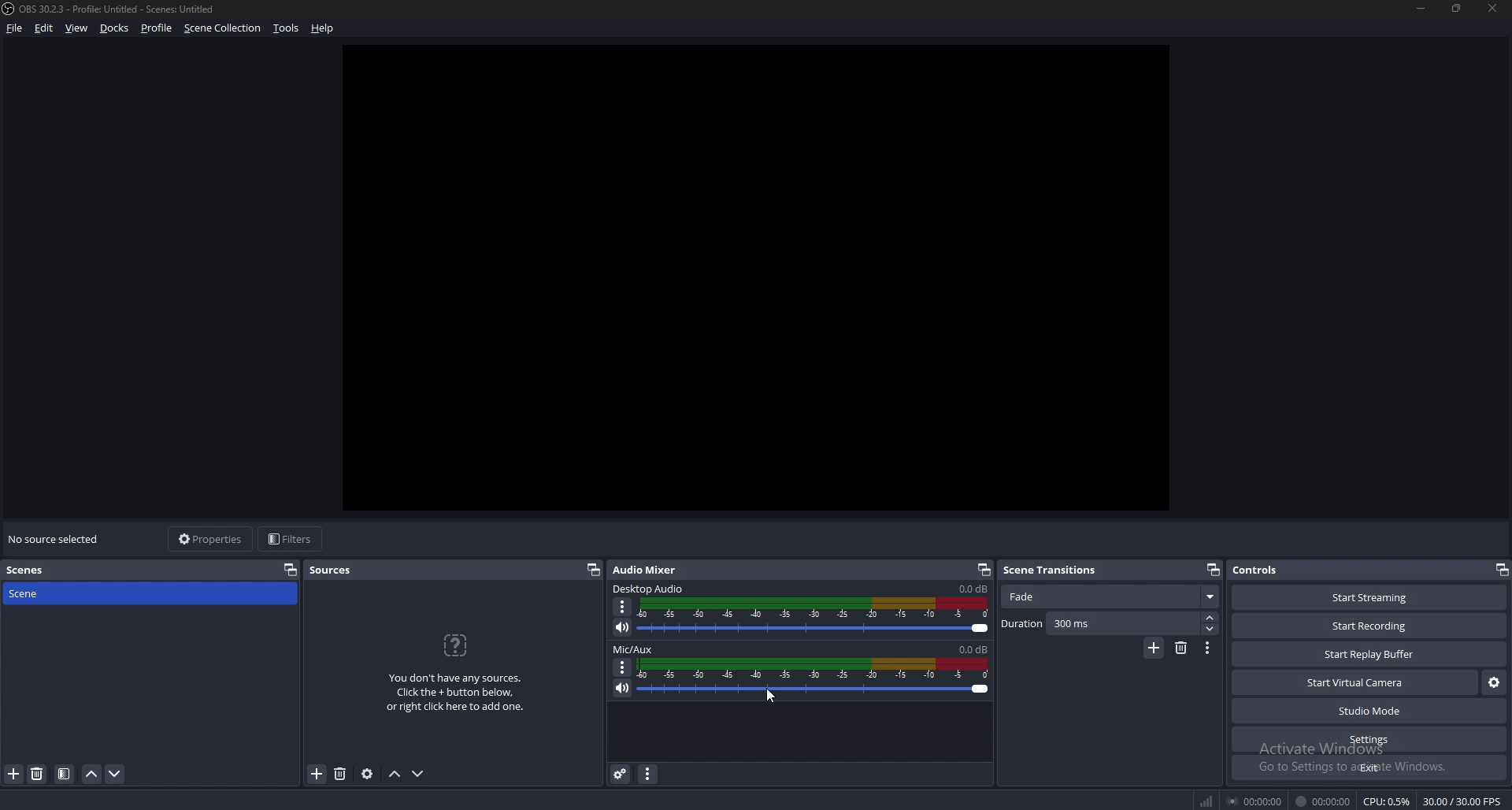 The width and height of the screenshot is (1512, 810). What do you see at coordinates (454, 645) in the screenshot?
I see `icon` at bounding box center [454, 645].